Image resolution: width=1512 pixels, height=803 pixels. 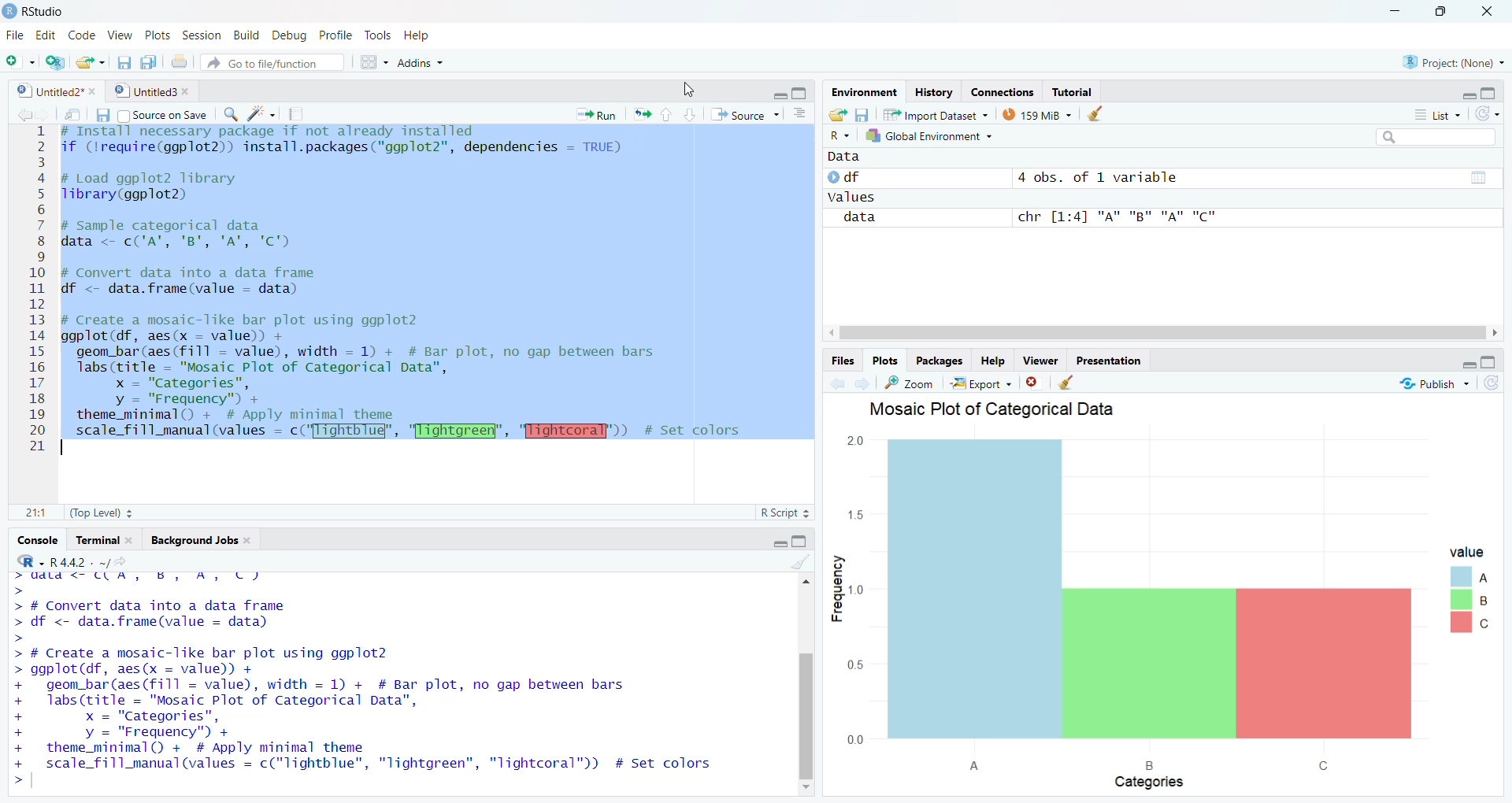 What do you see at coordinates (839, 115) in the screenshot?
I see `Open folder` at bounding box center [839, 115].